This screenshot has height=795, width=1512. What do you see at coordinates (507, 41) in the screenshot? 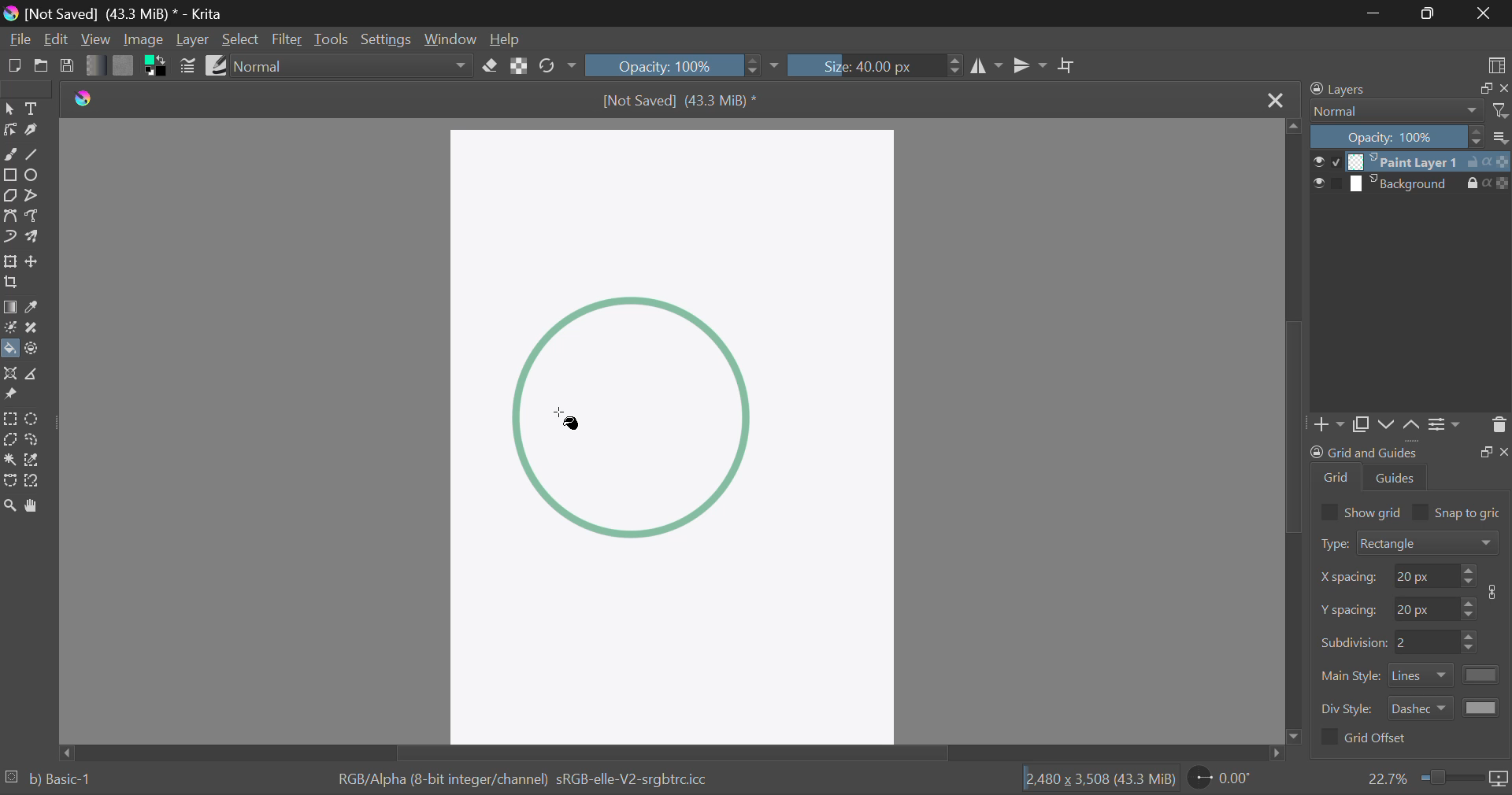
I see `Help` at bounding box center [507, 41].